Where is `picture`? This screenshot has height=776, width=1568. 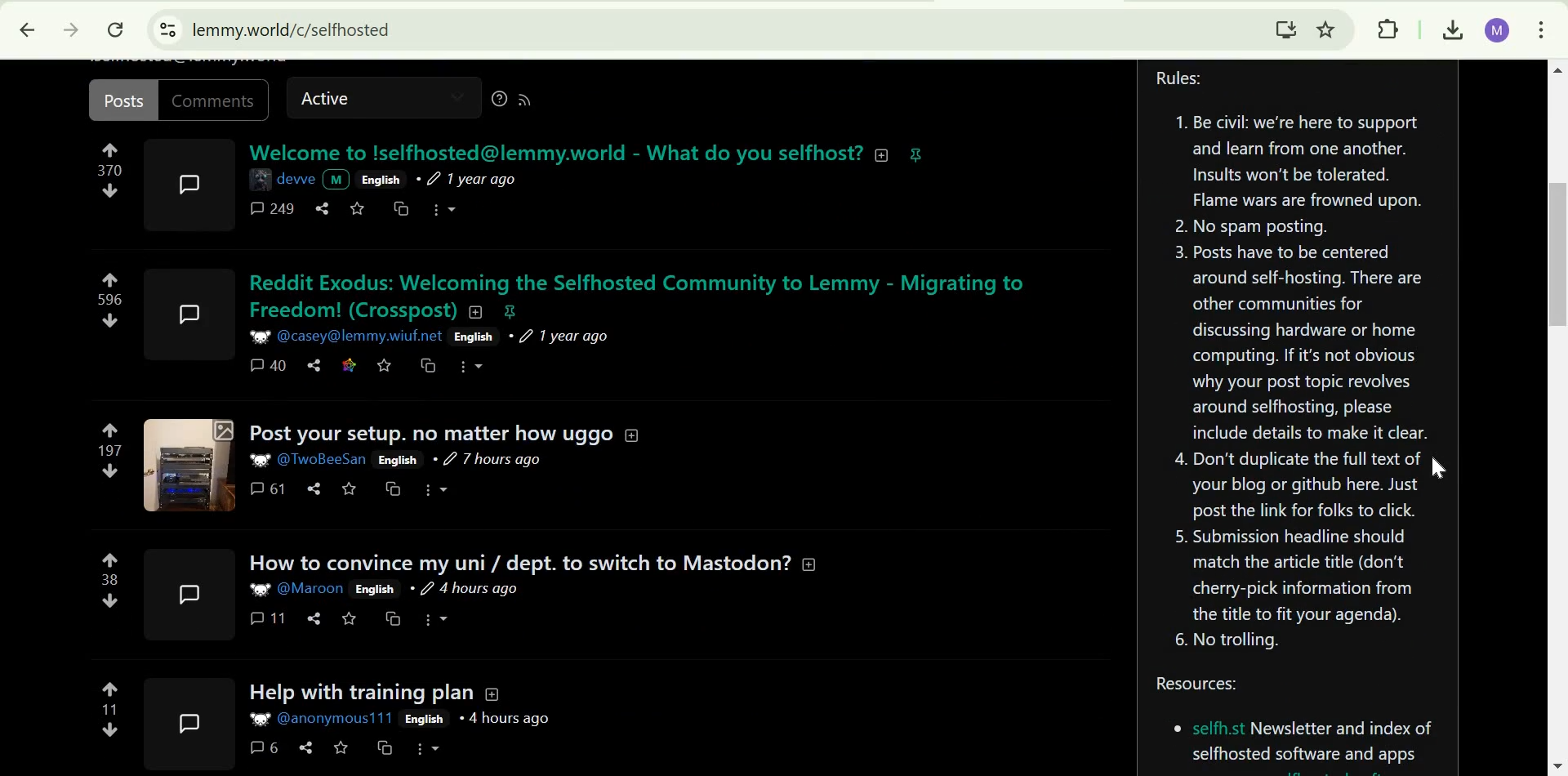
picture is located at coordinates (260, 460).